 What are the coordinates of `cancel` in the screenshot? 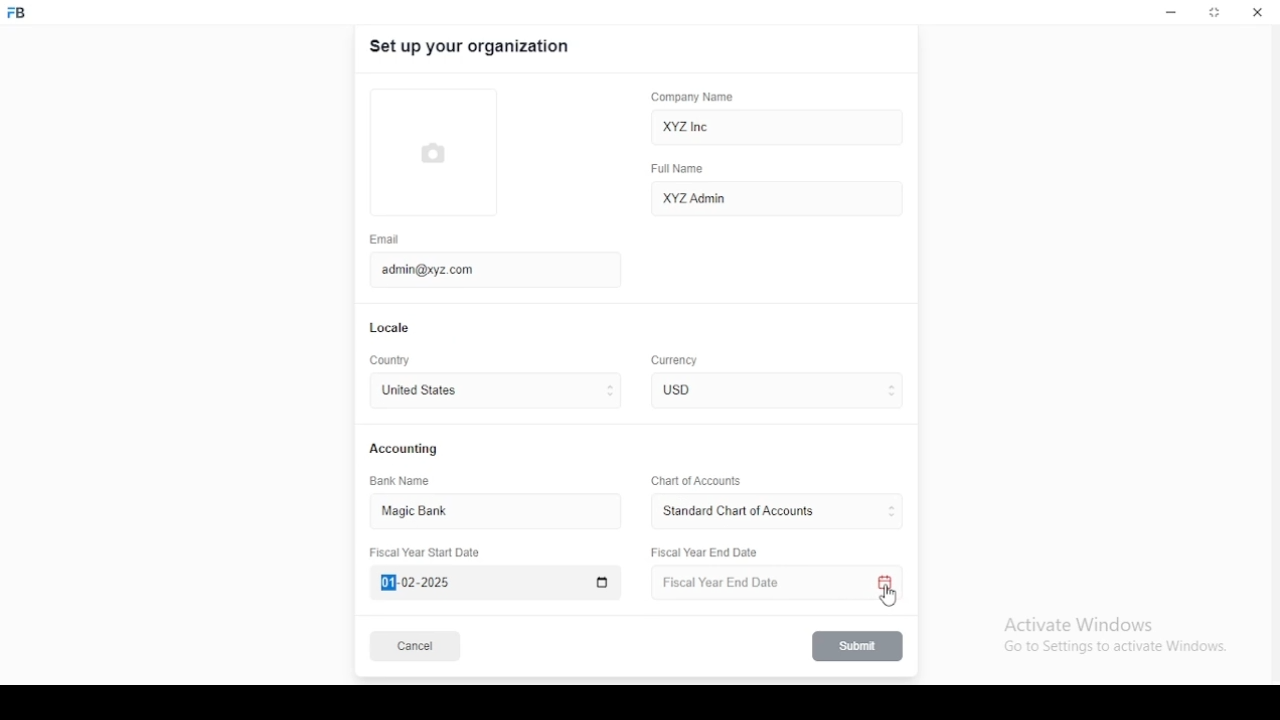 It's located at (415, 647).